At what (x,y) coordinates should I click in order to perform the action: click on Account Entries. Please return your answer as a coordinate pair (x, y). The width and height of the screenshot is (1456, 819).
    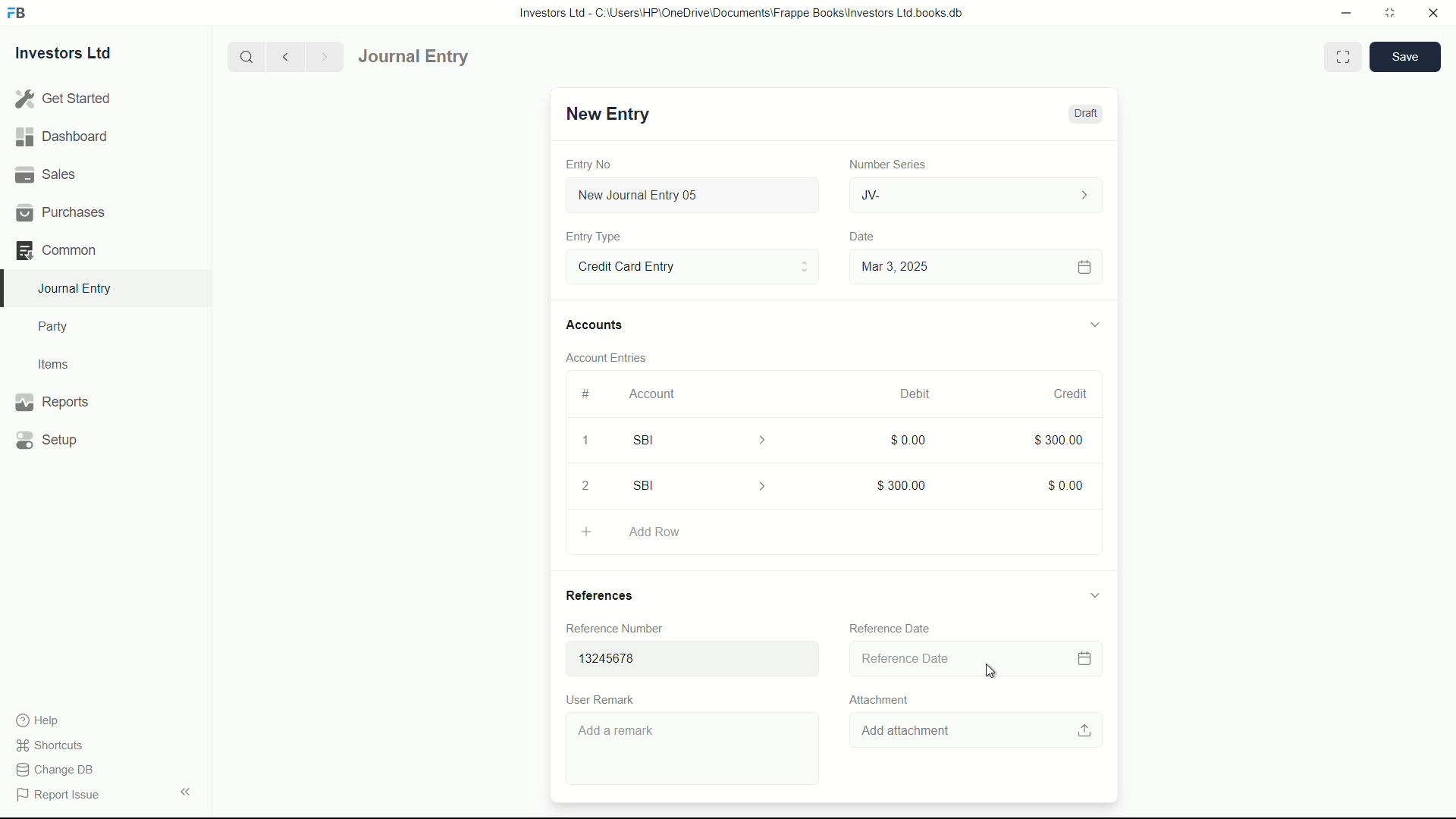
    Looking at the image, I should click on (613, 355).